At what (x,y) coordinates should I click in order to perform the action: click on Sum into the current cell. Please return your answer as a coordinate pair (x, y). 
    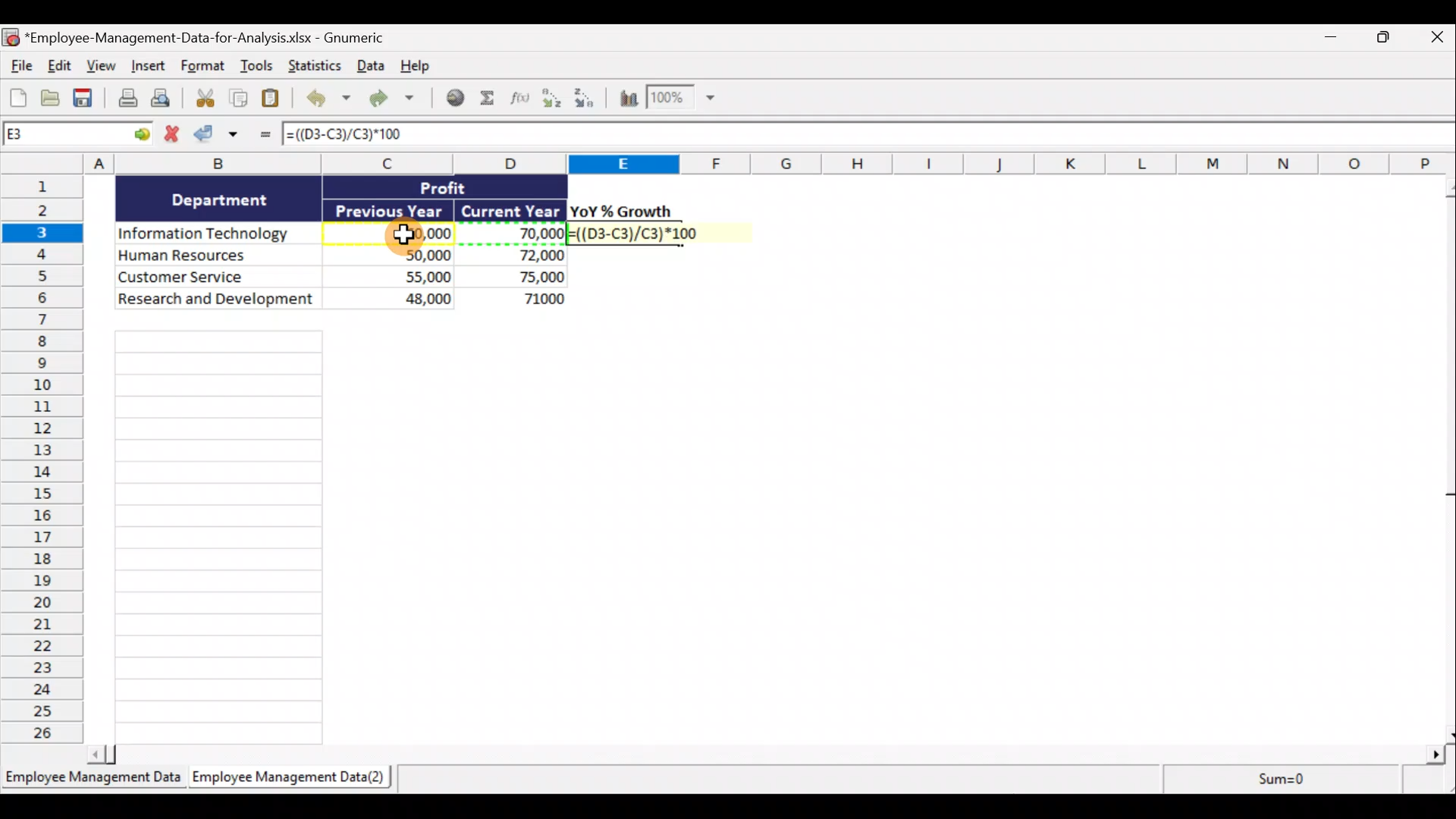
    Looking at the image, I should click on (491, 99).